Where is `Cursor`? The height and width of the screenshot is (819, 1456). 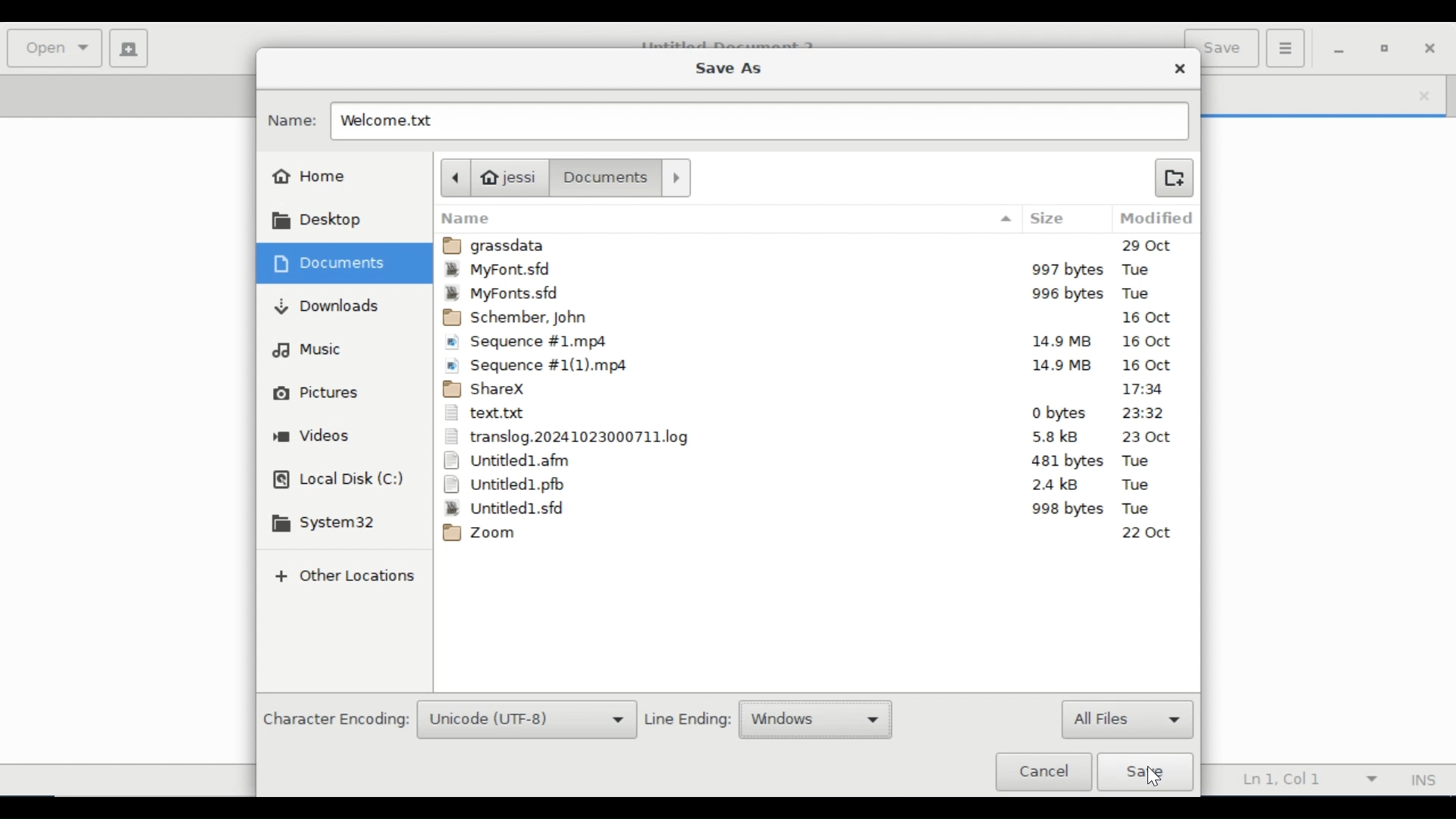 Cursor is located at coordinates (1154, 779).